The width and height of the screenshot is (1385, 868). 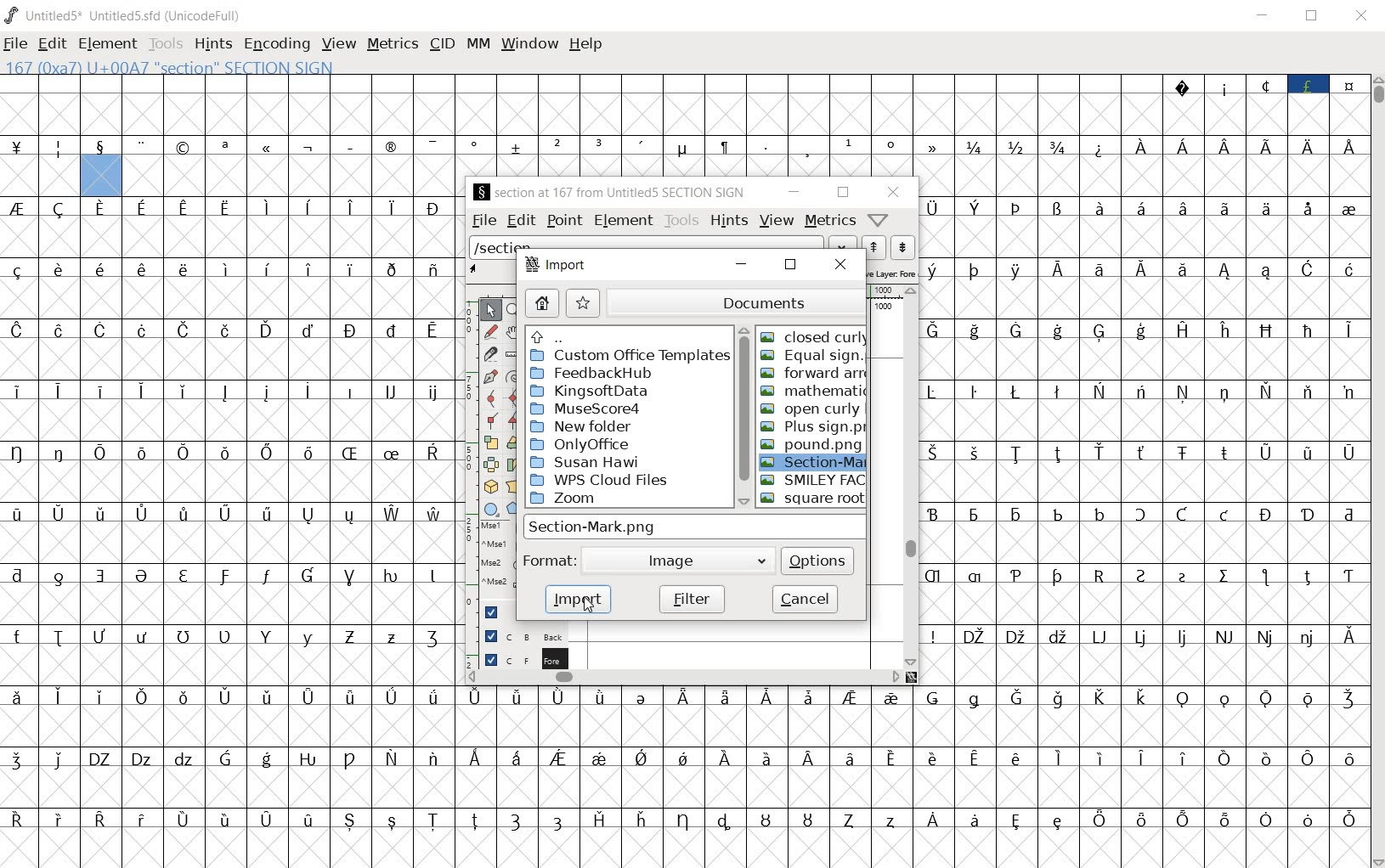 What do you see at coordinates (483, 220) in the screenshot?
I see `file` at bounding box center [483, 220].